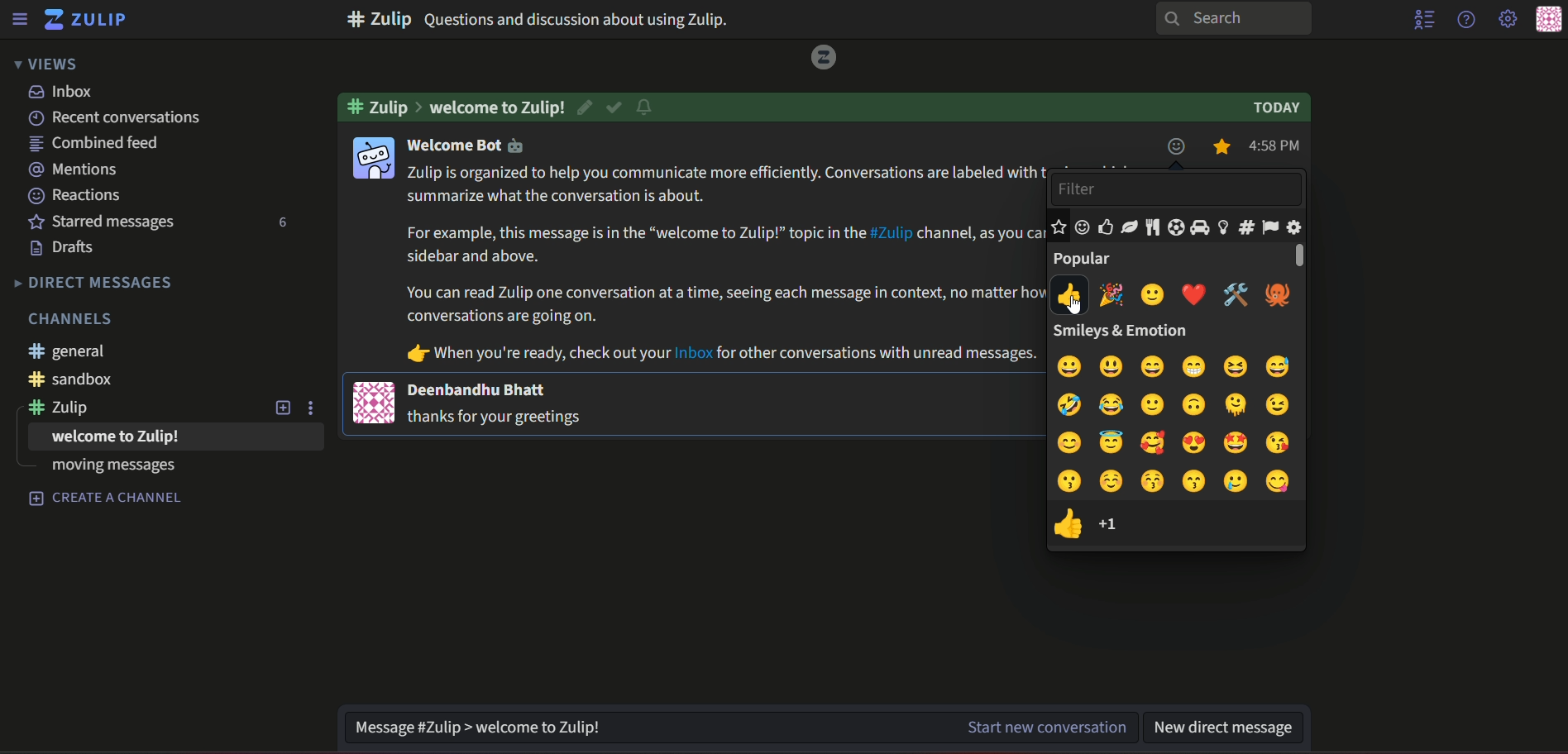  I want to click on number, so click(1119, 525).